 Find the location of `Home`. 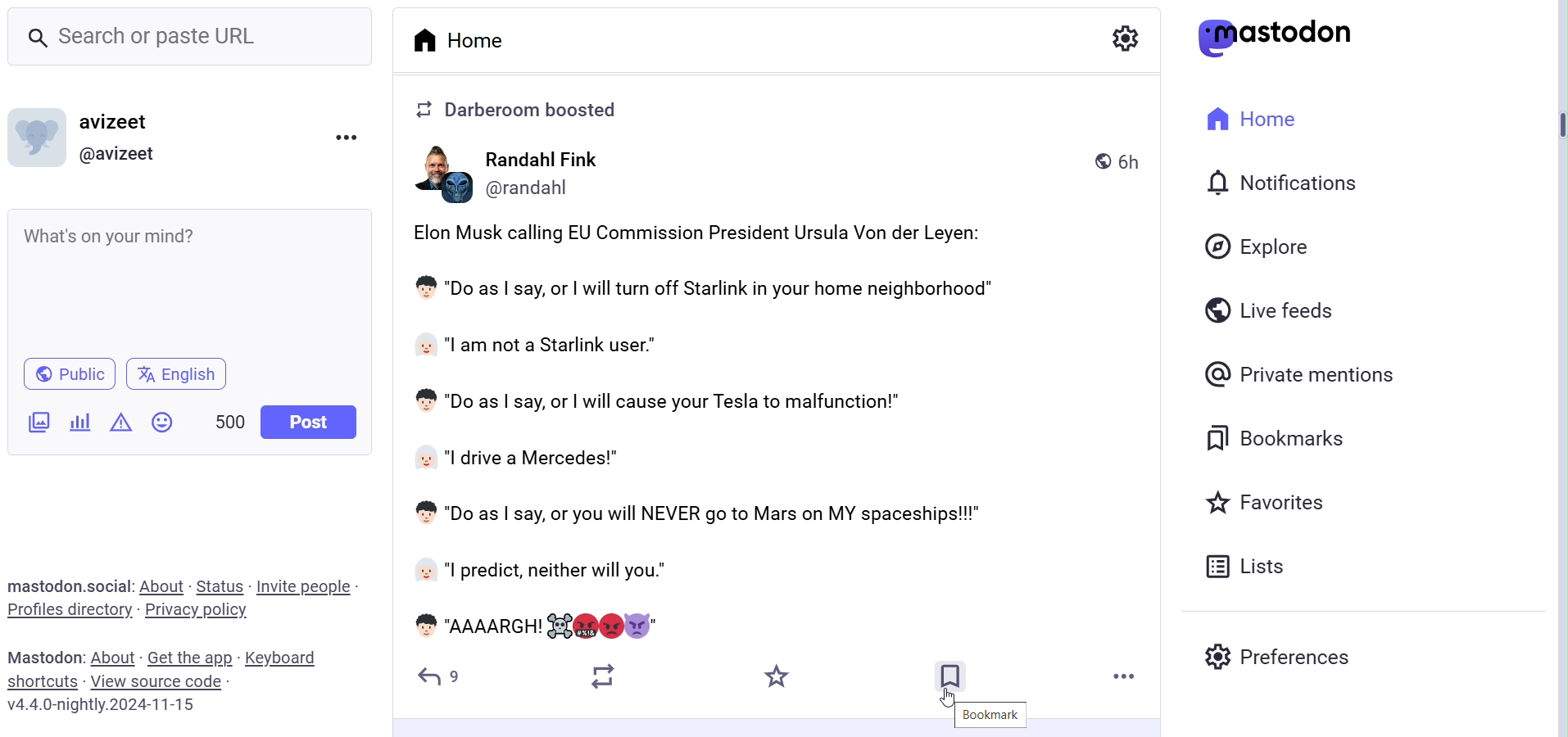

Home is located at coordinates (466, 38).